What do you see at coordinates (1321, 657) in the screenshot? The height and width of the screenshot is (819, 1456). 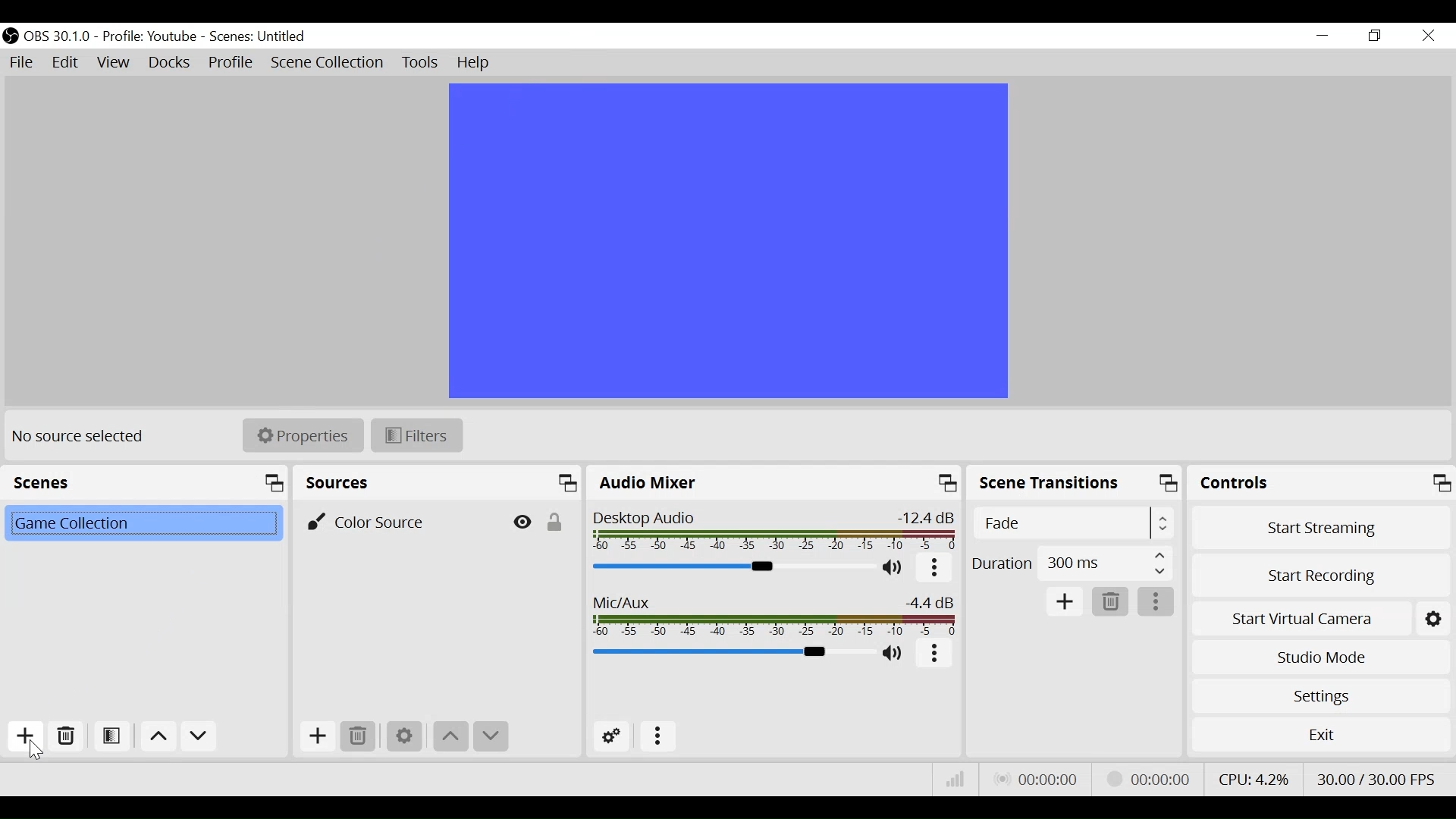 I see `Studio Mode` at bounding box center [1321, 657].